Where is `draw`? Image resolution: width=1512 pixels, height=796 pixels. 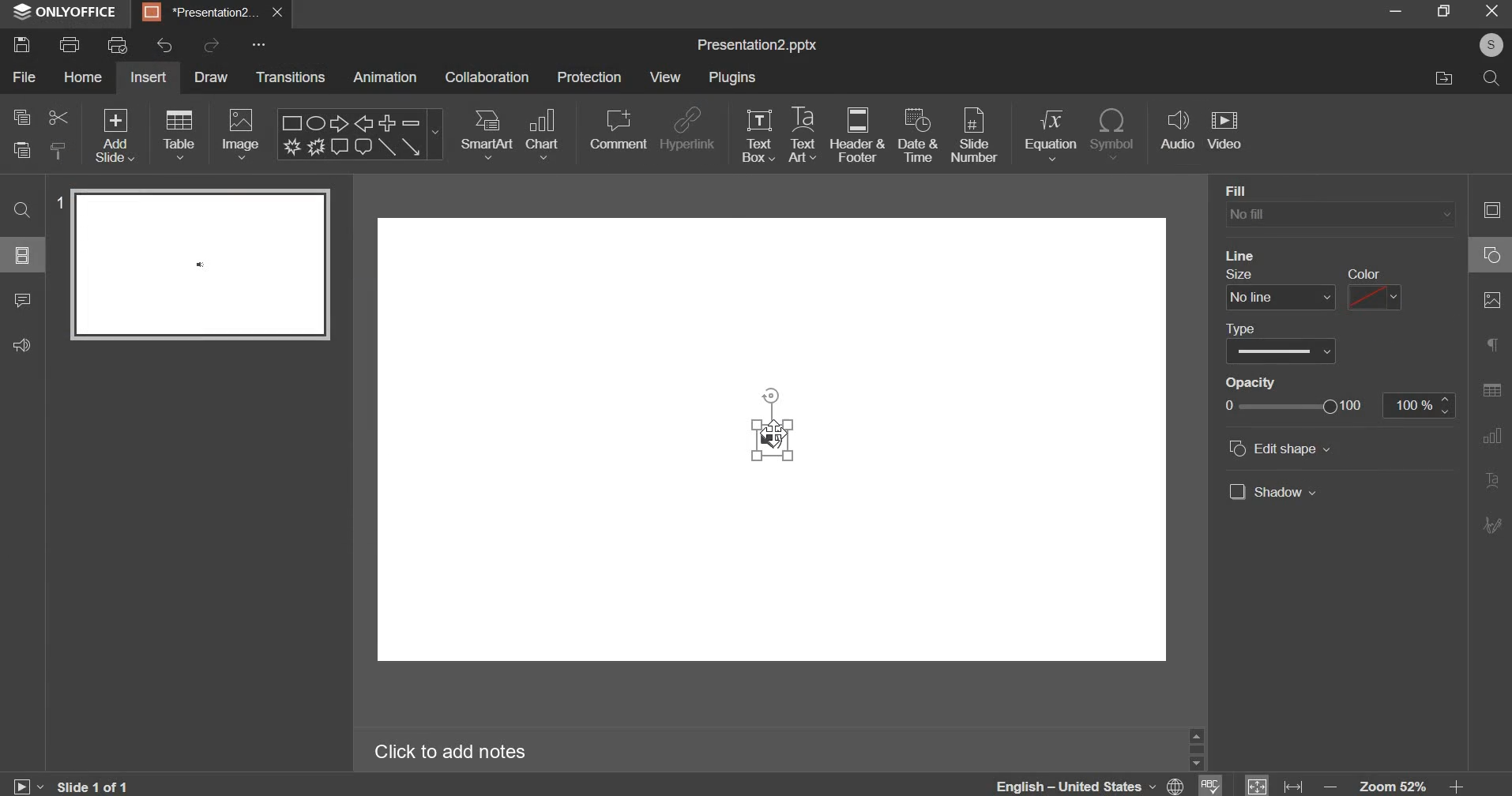 draw is located at coordinates (208, 76).